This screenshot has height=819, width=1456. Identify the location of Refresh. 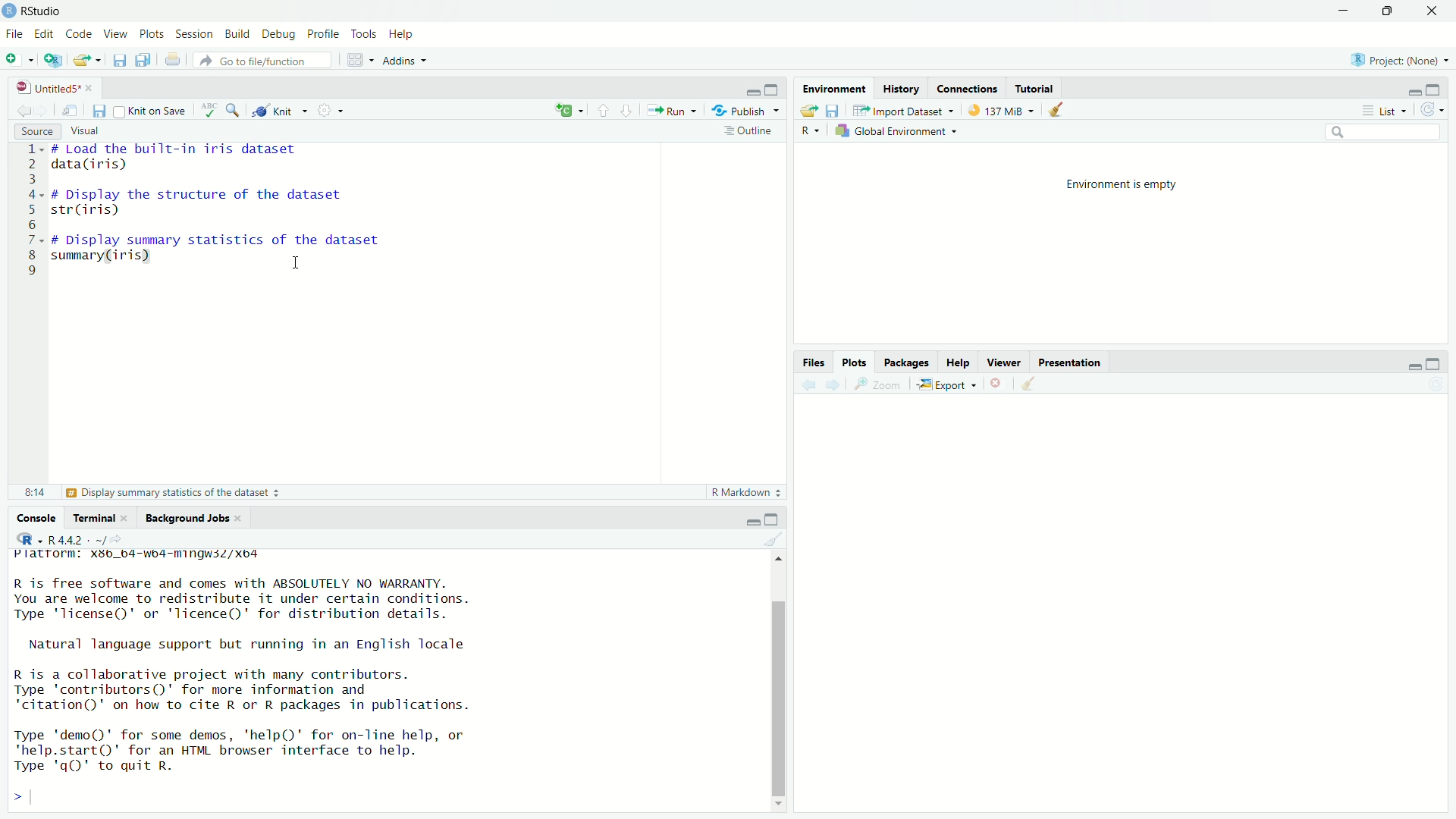
(1431, 110).